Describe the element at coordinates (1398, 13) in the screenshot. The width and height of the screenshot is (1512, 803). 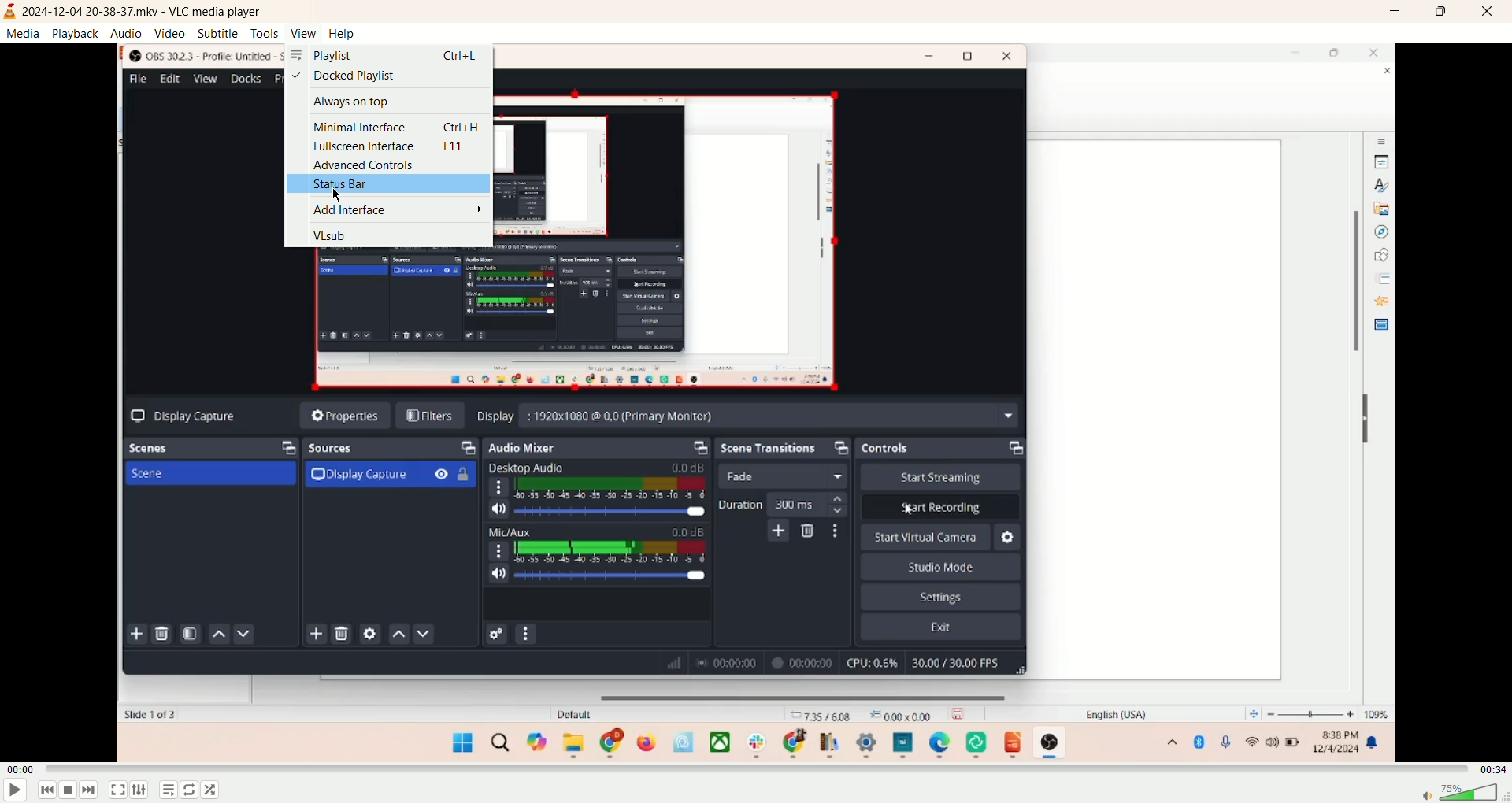
I see `minimize` at that location.